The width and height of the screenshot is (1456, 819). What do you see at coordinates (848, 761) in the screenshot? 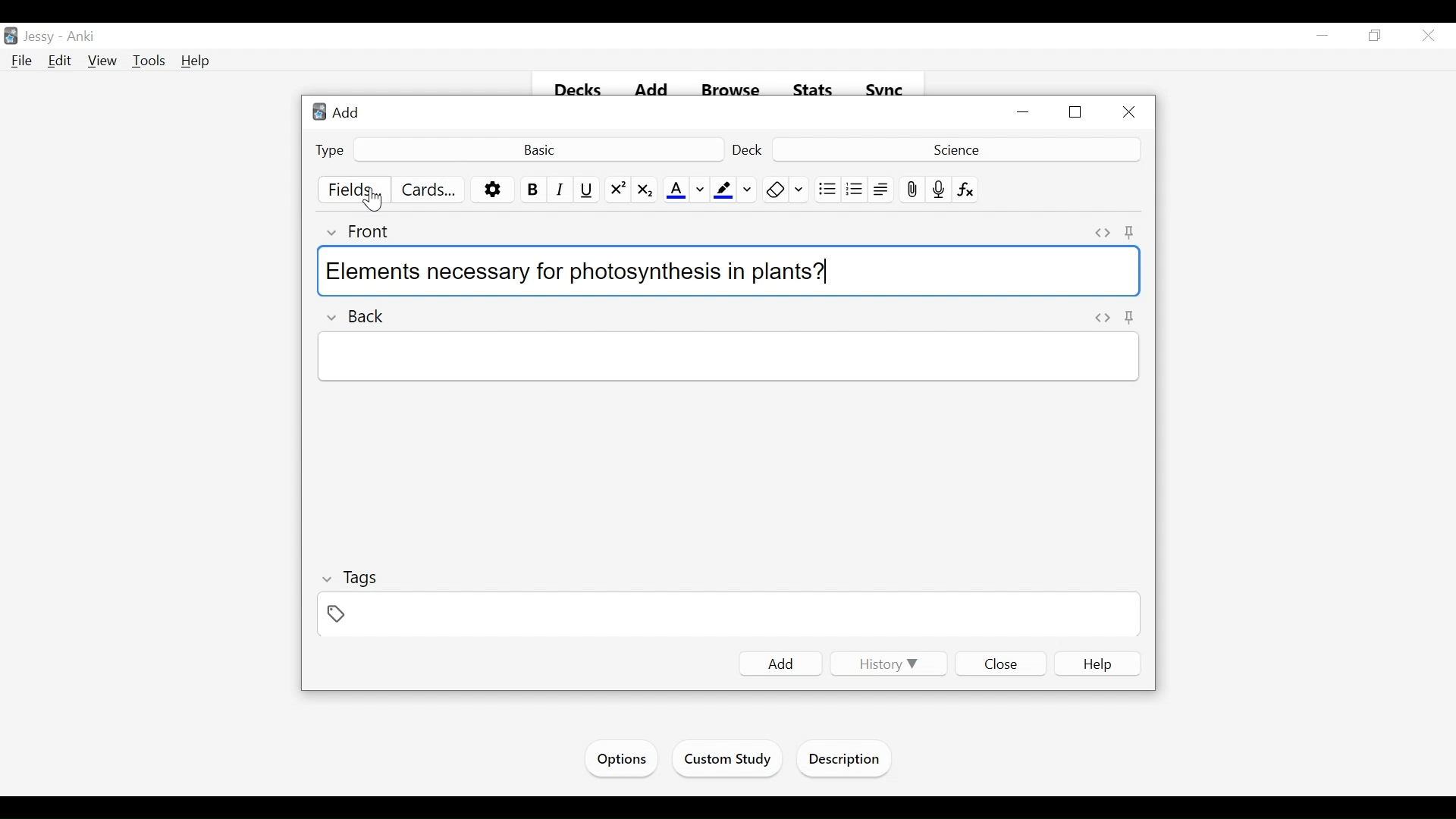
I see `Description` at bounding box center [848, 761].